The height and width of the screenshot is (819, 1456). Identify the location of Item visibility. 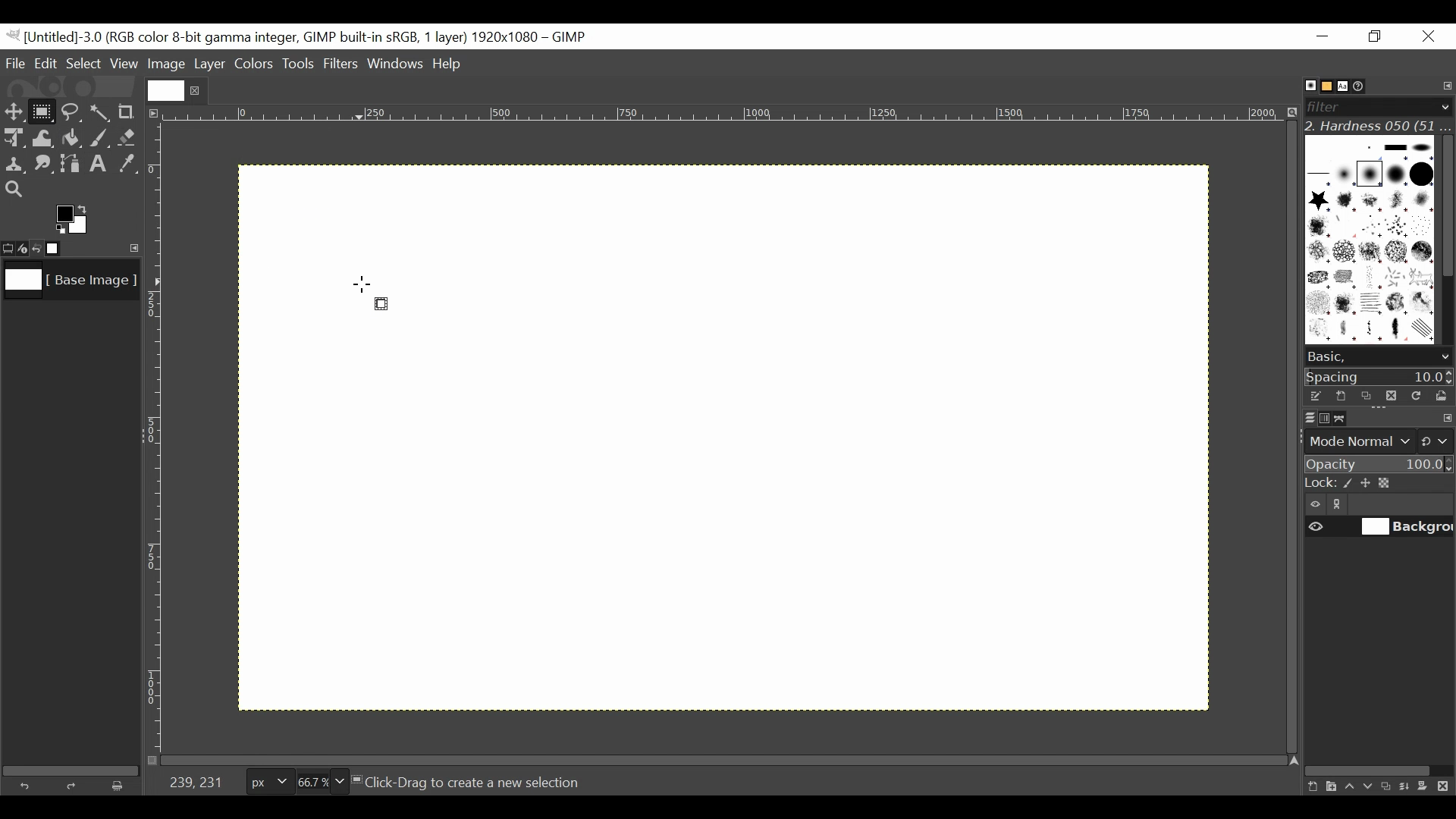
(1316, 505).